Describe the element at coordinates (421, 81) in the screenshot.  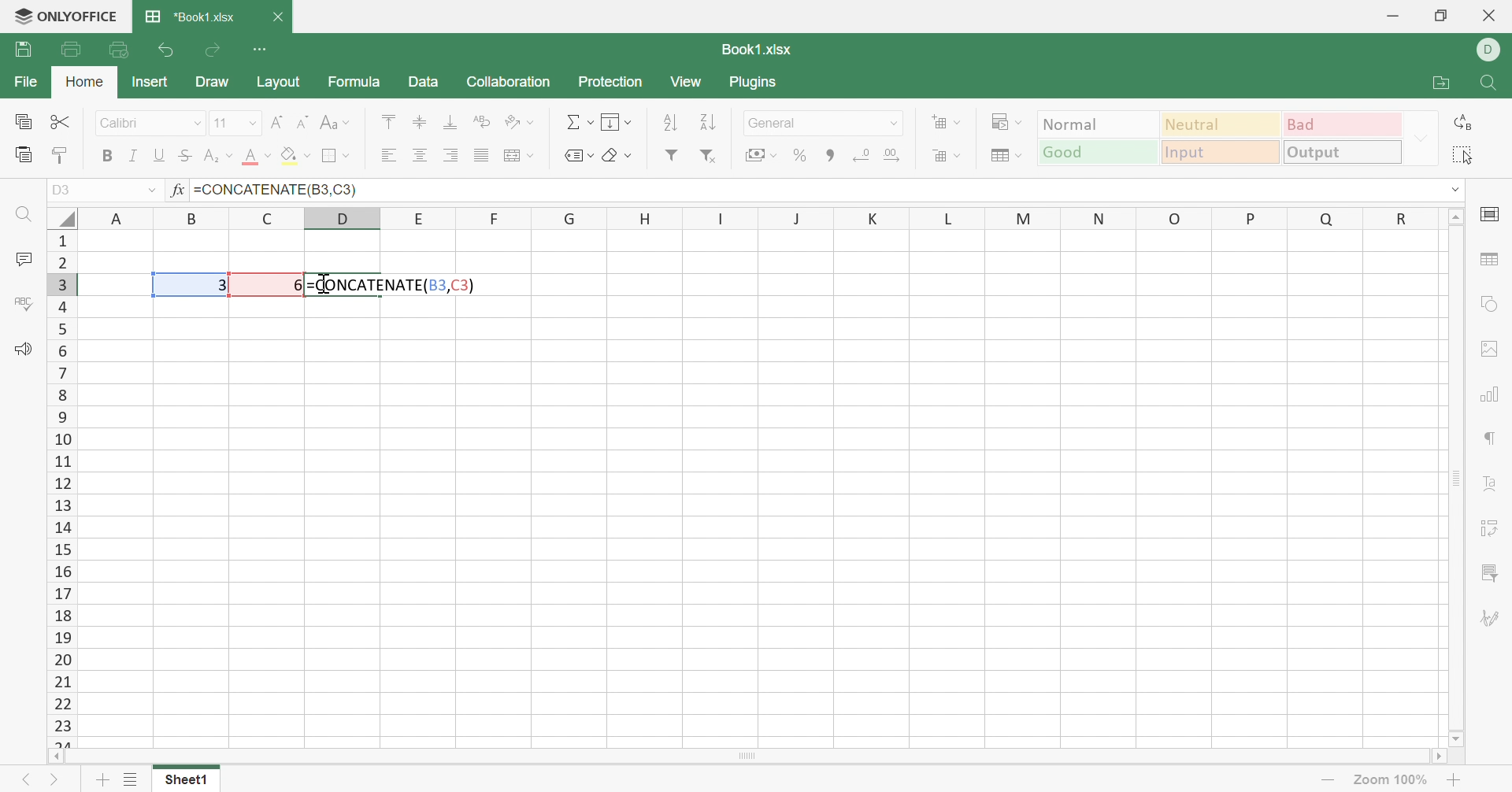
I see `Data` at that location.